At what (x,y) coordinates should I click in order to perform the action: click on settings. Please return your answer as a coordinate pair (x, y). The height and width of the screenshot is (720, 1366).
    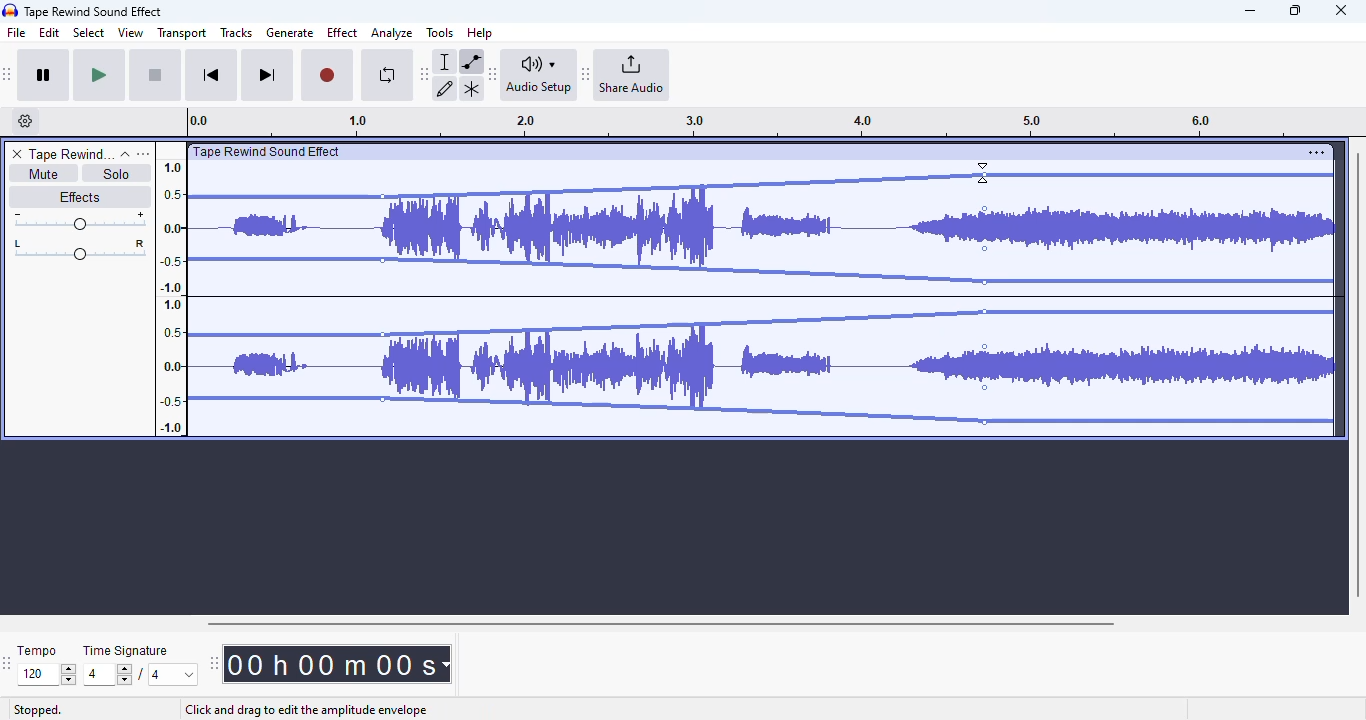
    Looking at the image, I should click on (1316, 152).